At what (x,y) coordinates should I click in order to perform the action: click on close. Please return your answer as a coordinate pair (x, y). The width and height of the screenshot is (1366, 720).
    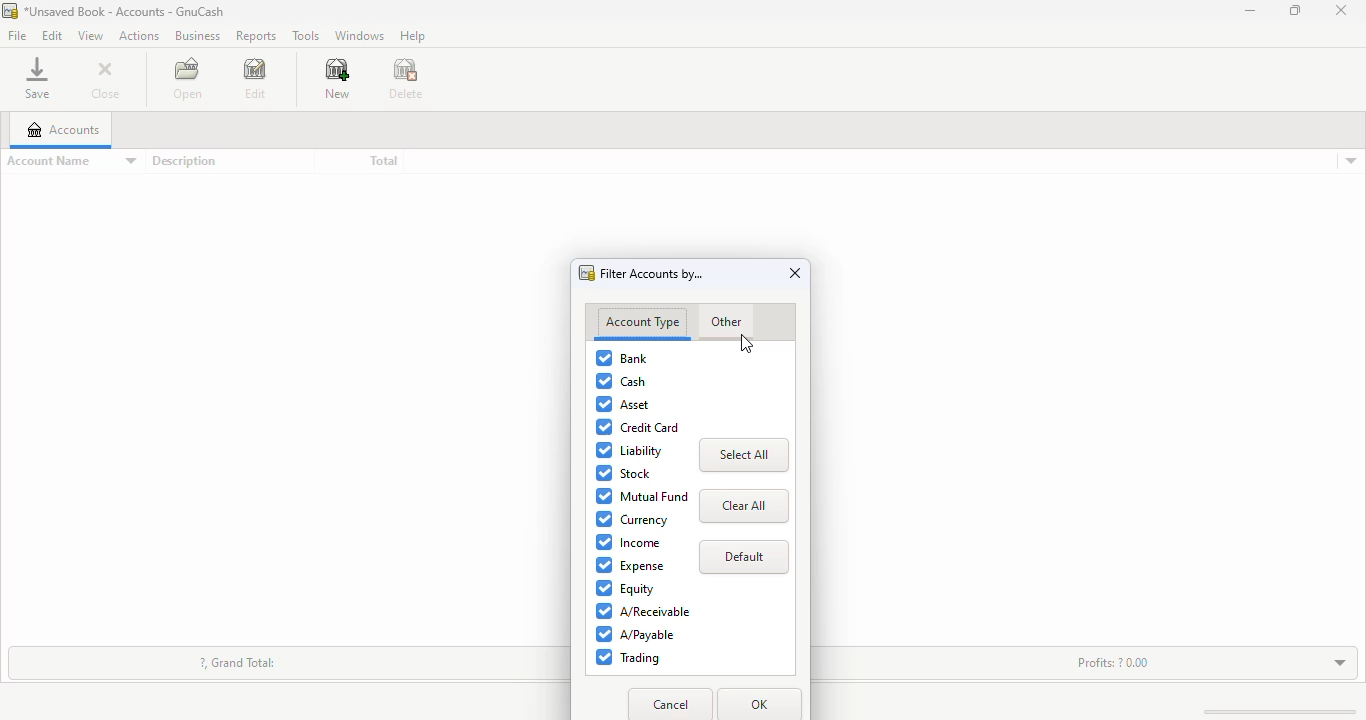
    Looking at the image, I should click on (796, 273).